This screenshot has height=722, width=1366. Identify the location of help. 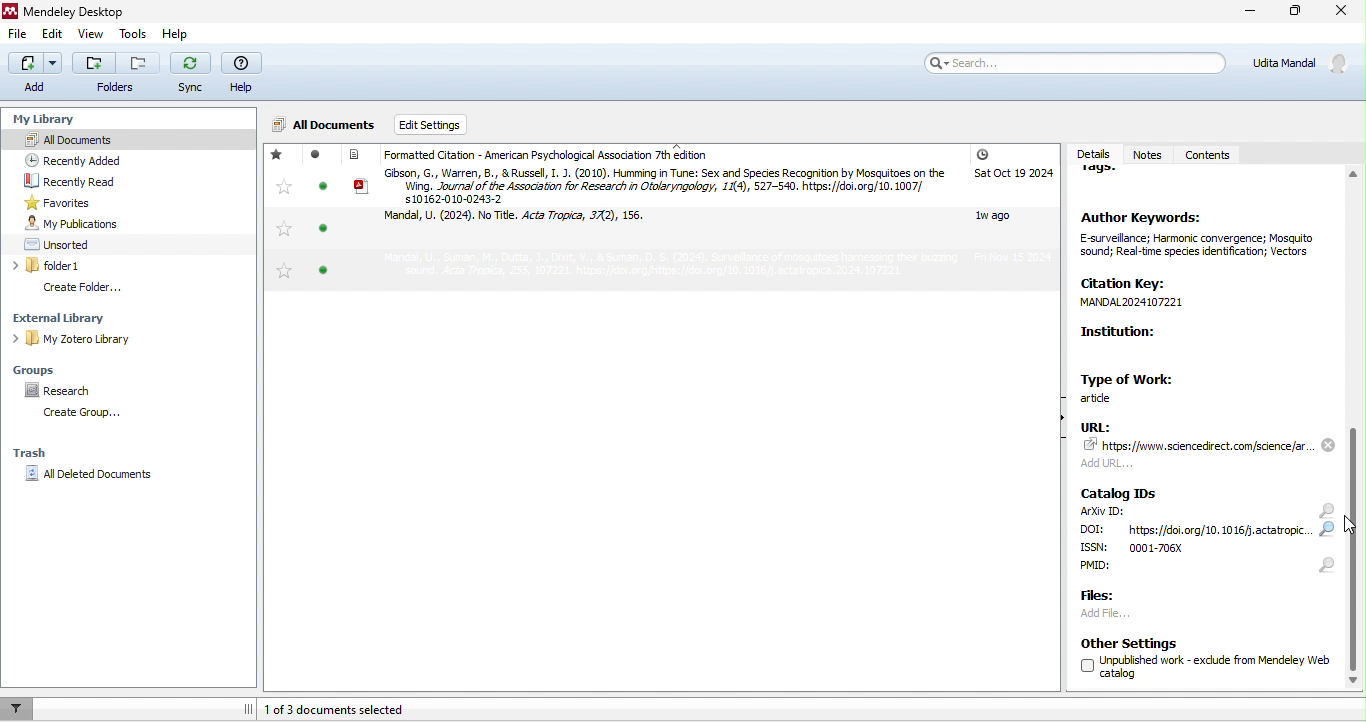
(242, 74).